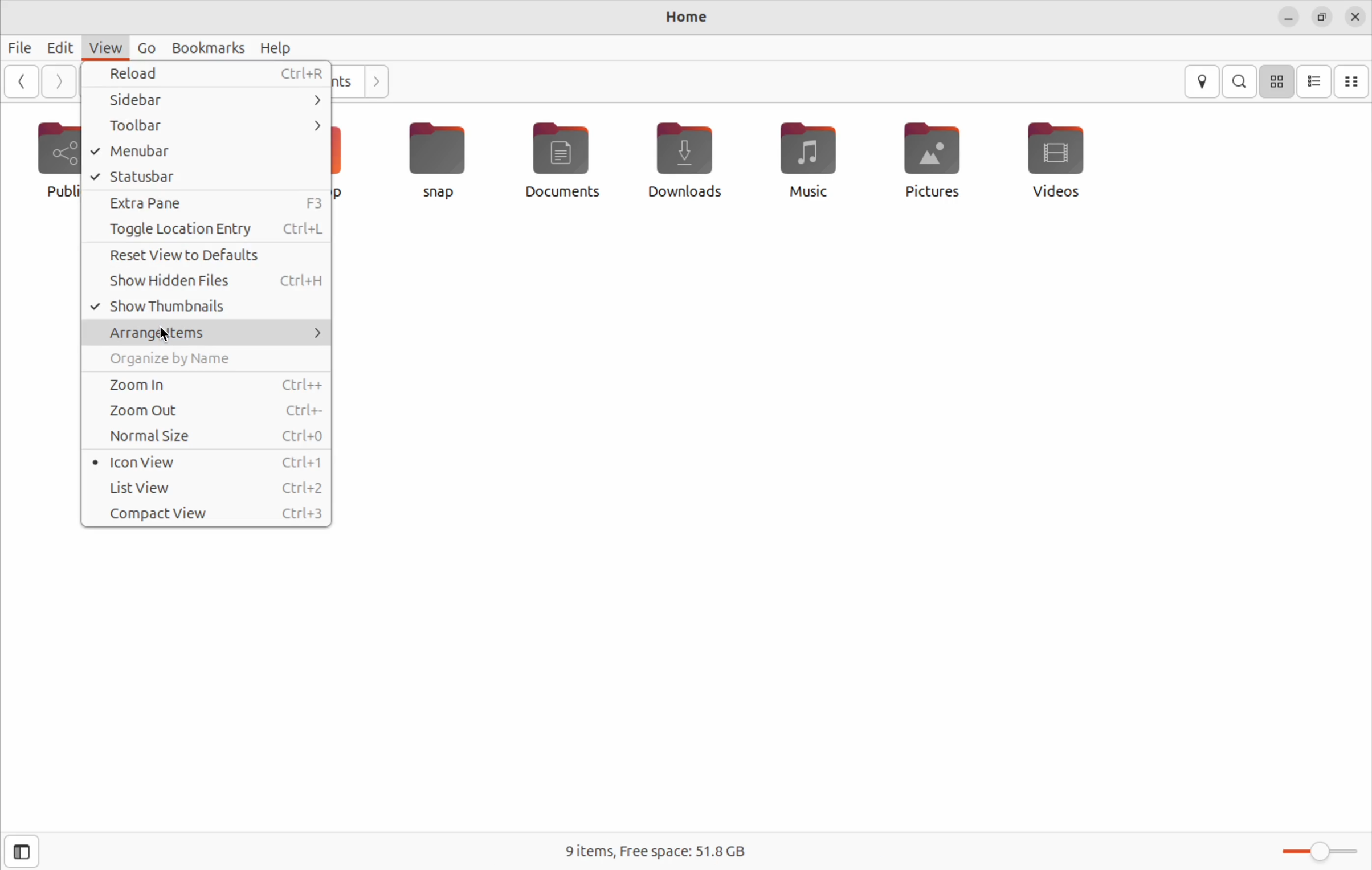 This screenshot has height=870, width=1372. What do you see at coordinates (685, 164) in the screenshot?
I see `downloads` at bounding box center [685, 164].